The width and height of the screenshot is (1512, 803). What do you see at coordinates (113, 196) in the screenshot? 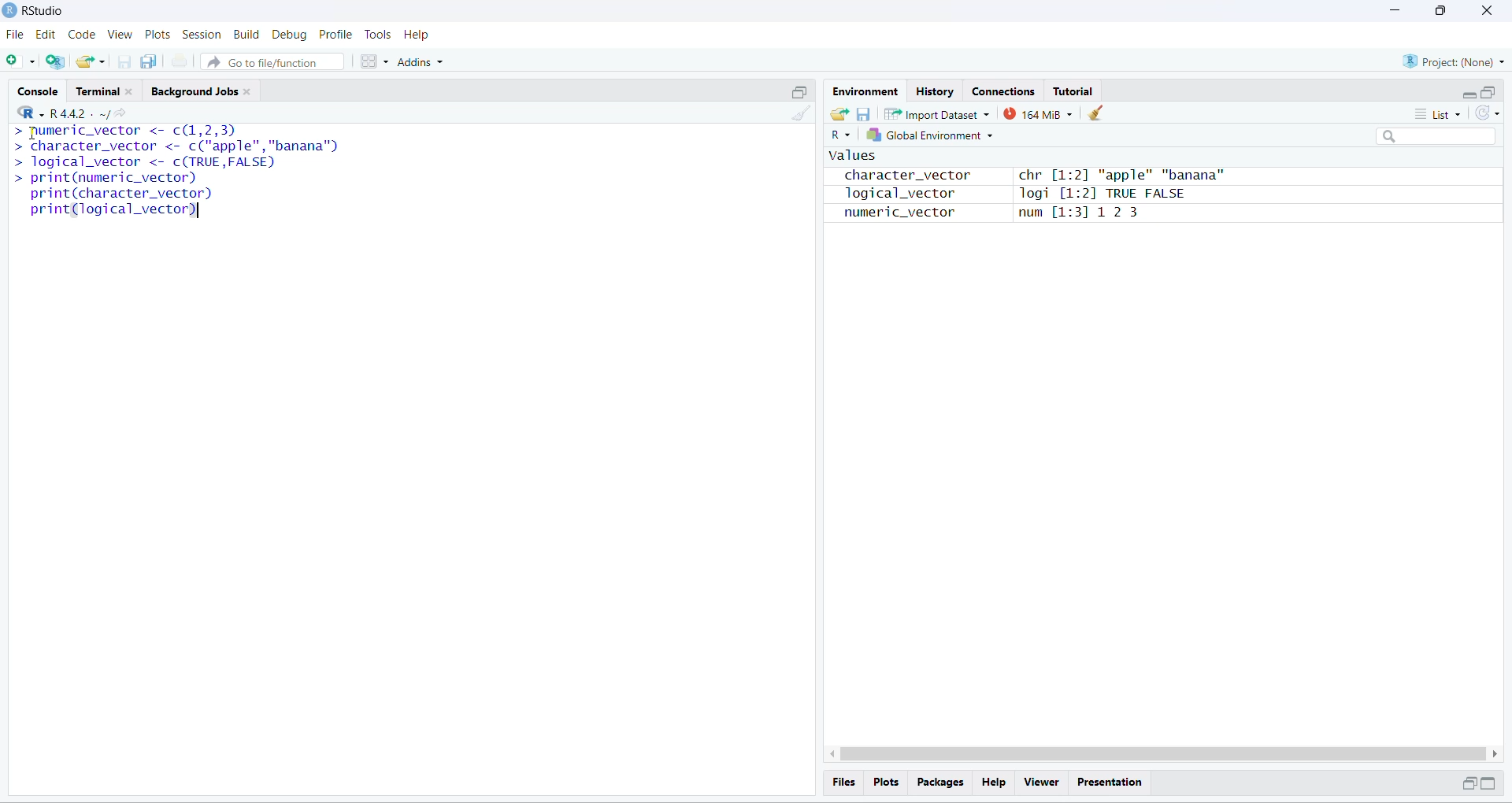
I see `print(numeric_vector)
print(character_vector)
print(logical_vector)|` at bounding box center [113, 196].